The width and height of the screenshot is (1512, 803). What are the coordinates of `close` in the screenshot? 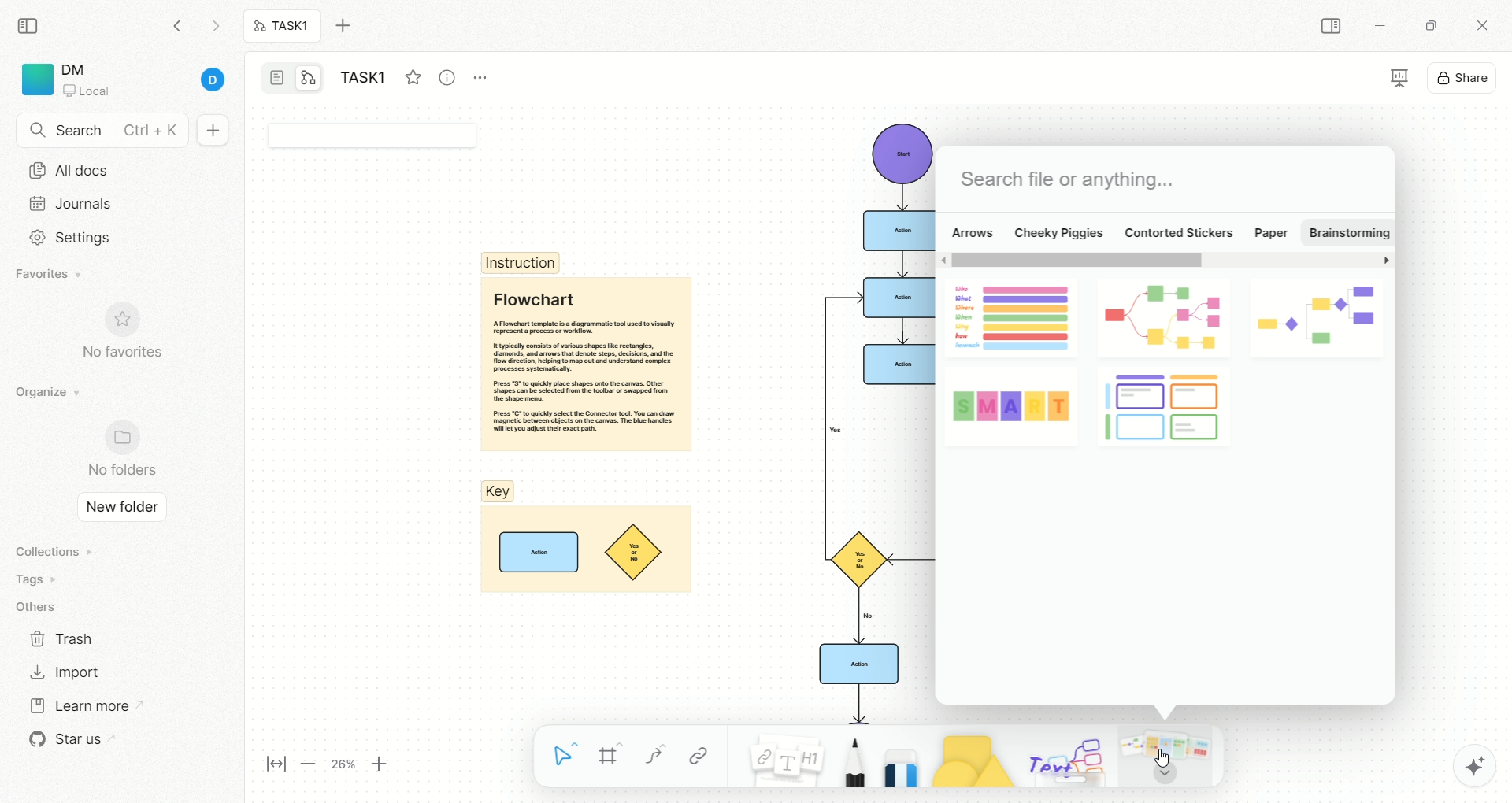 It's located at (1485, 28).